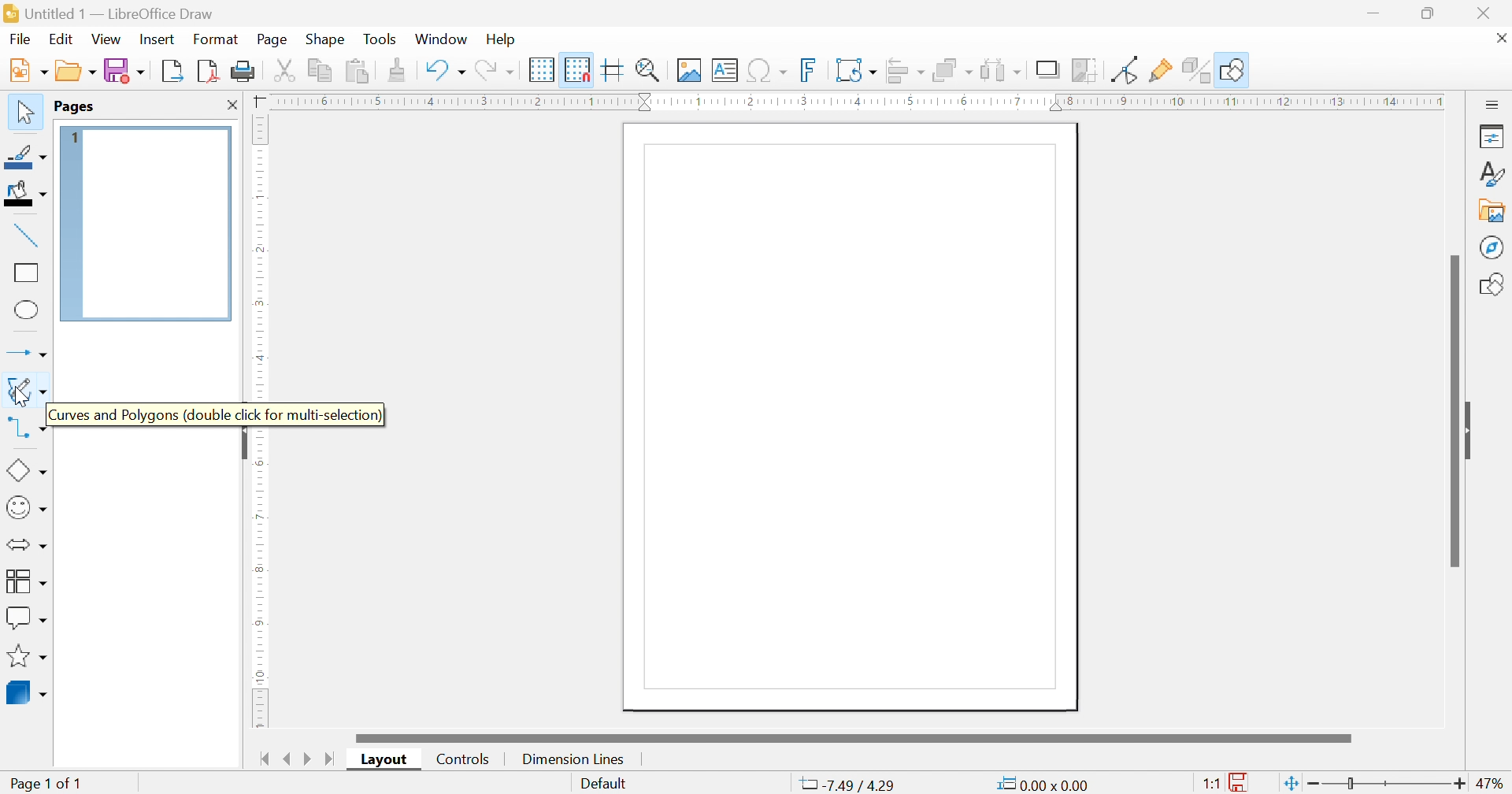  I want to click on show draw function, so click(1232, 70).